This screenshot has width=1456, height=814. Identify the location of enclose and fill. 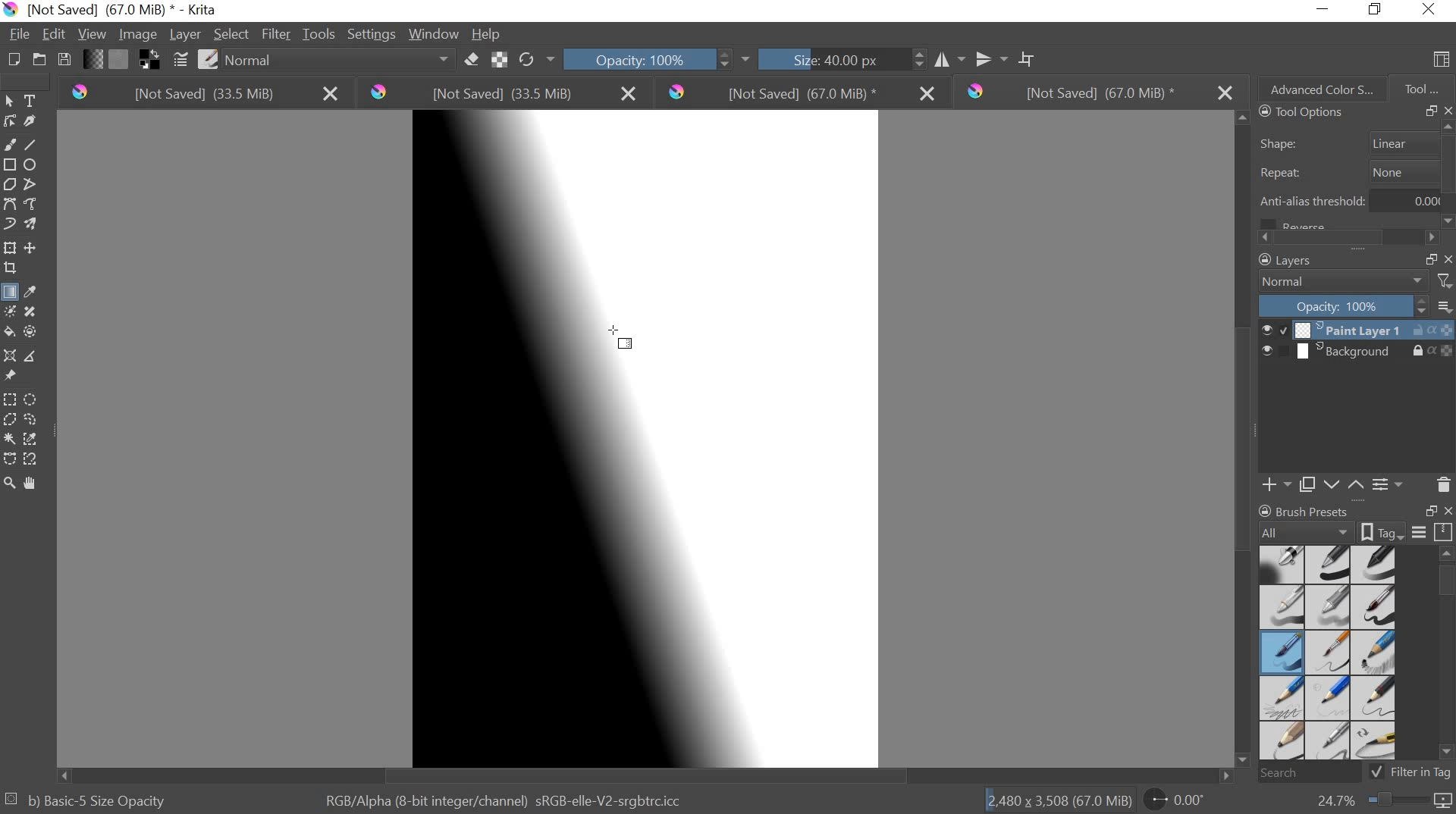
(33, 331).